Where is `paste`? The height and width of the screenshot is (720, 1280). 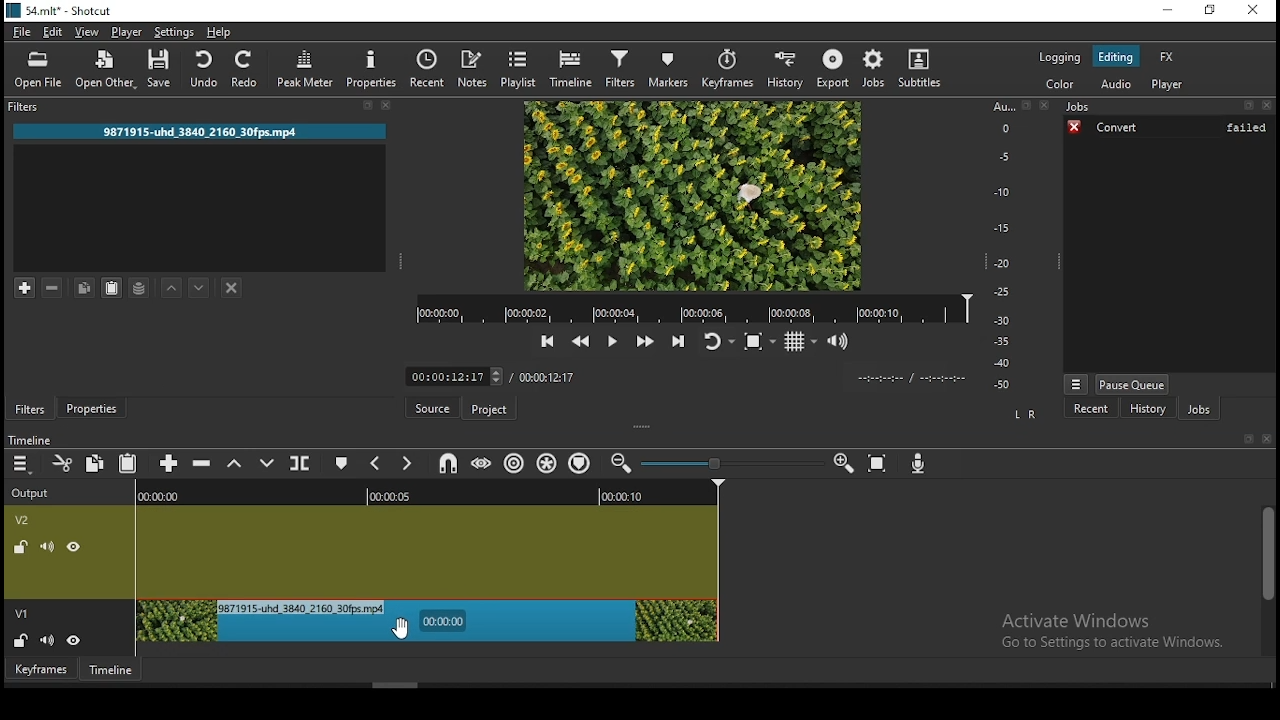 paste is located at coordinates (108, 289).